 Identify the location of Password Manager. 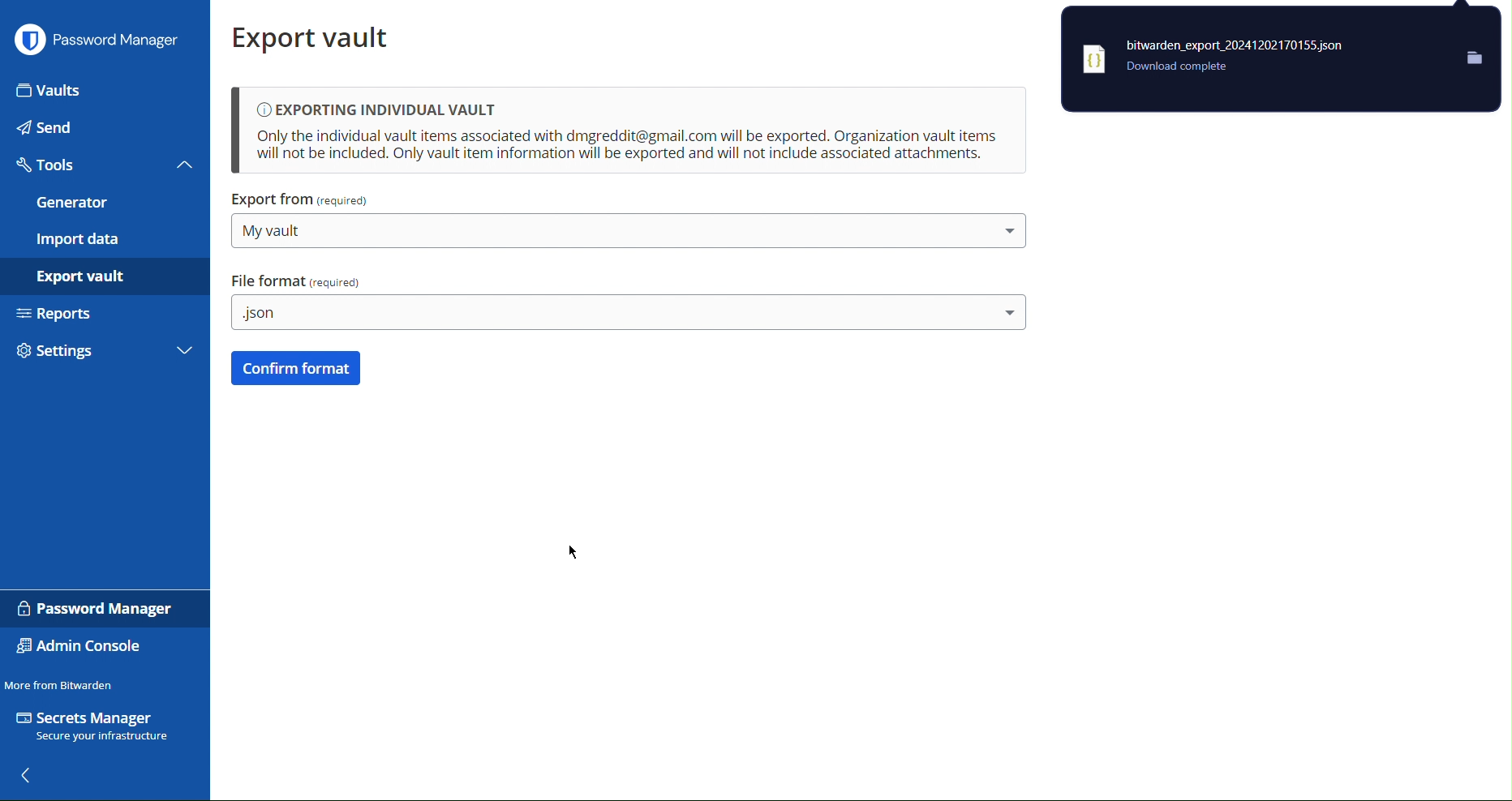
(98, 609).